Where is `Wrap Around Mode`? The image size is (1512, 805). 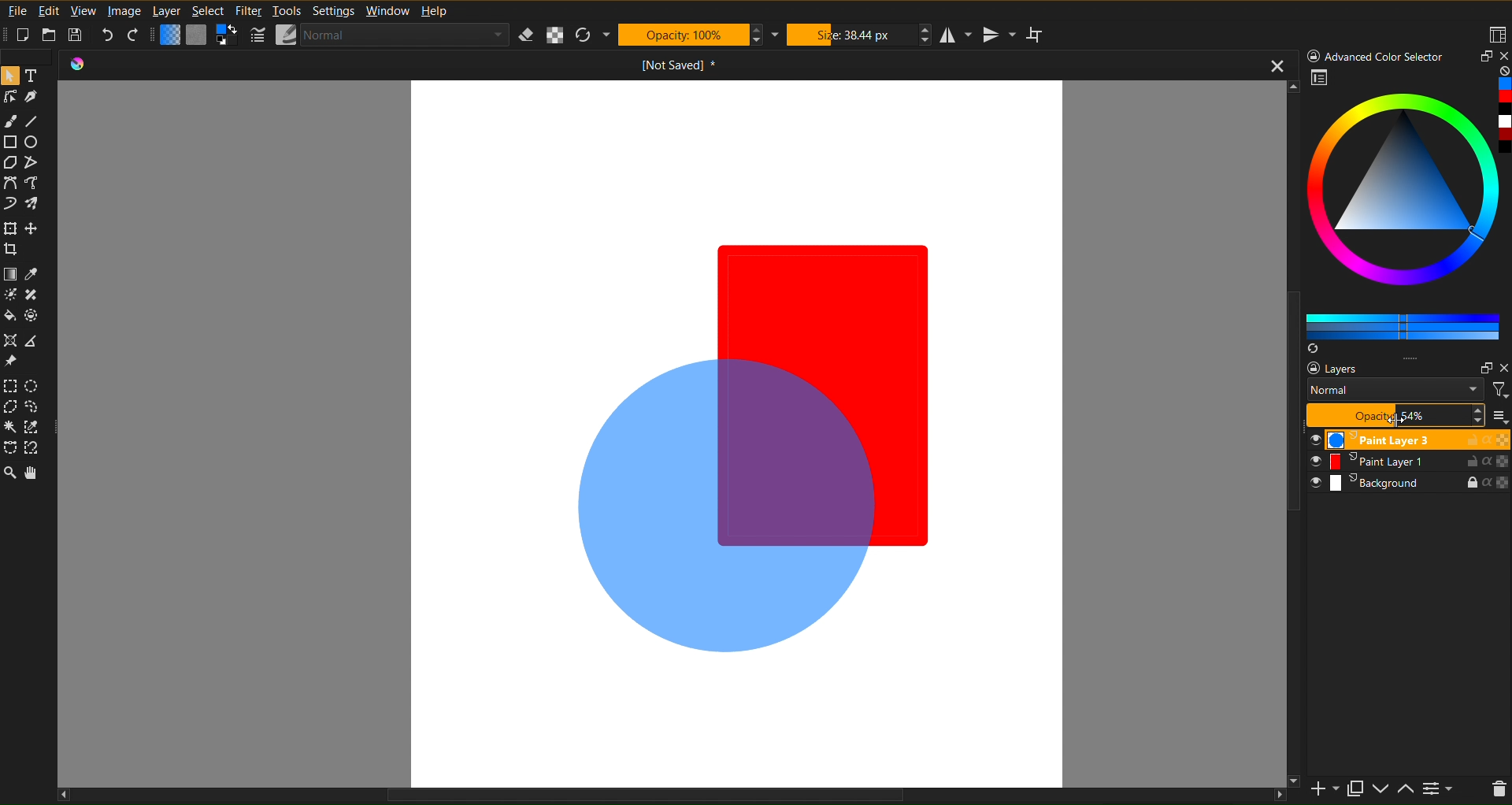 Wrap Around Mode is located at coordinates (1040, 35).